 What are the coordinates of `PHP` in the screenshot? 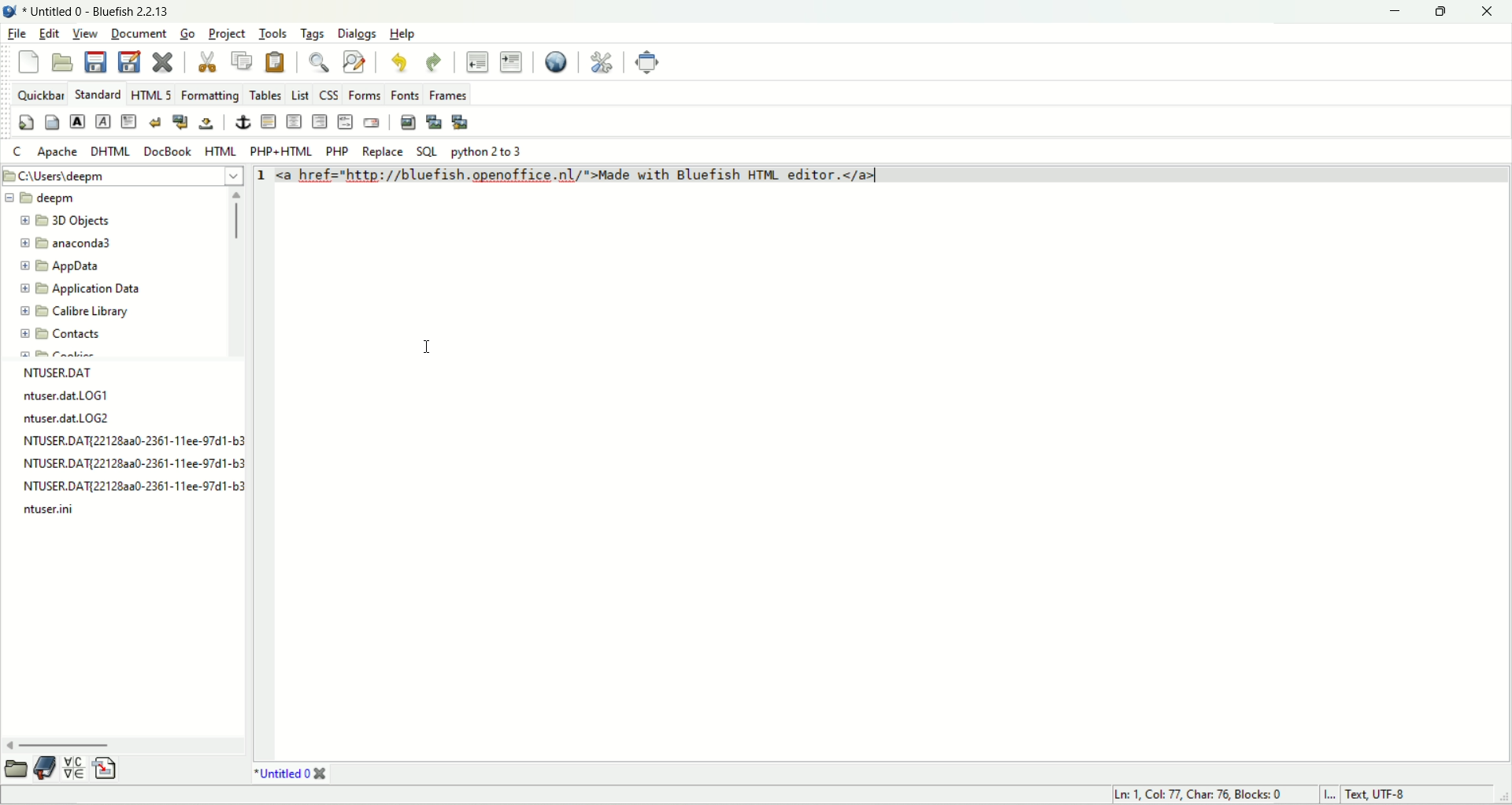 It's located at (339, 150).